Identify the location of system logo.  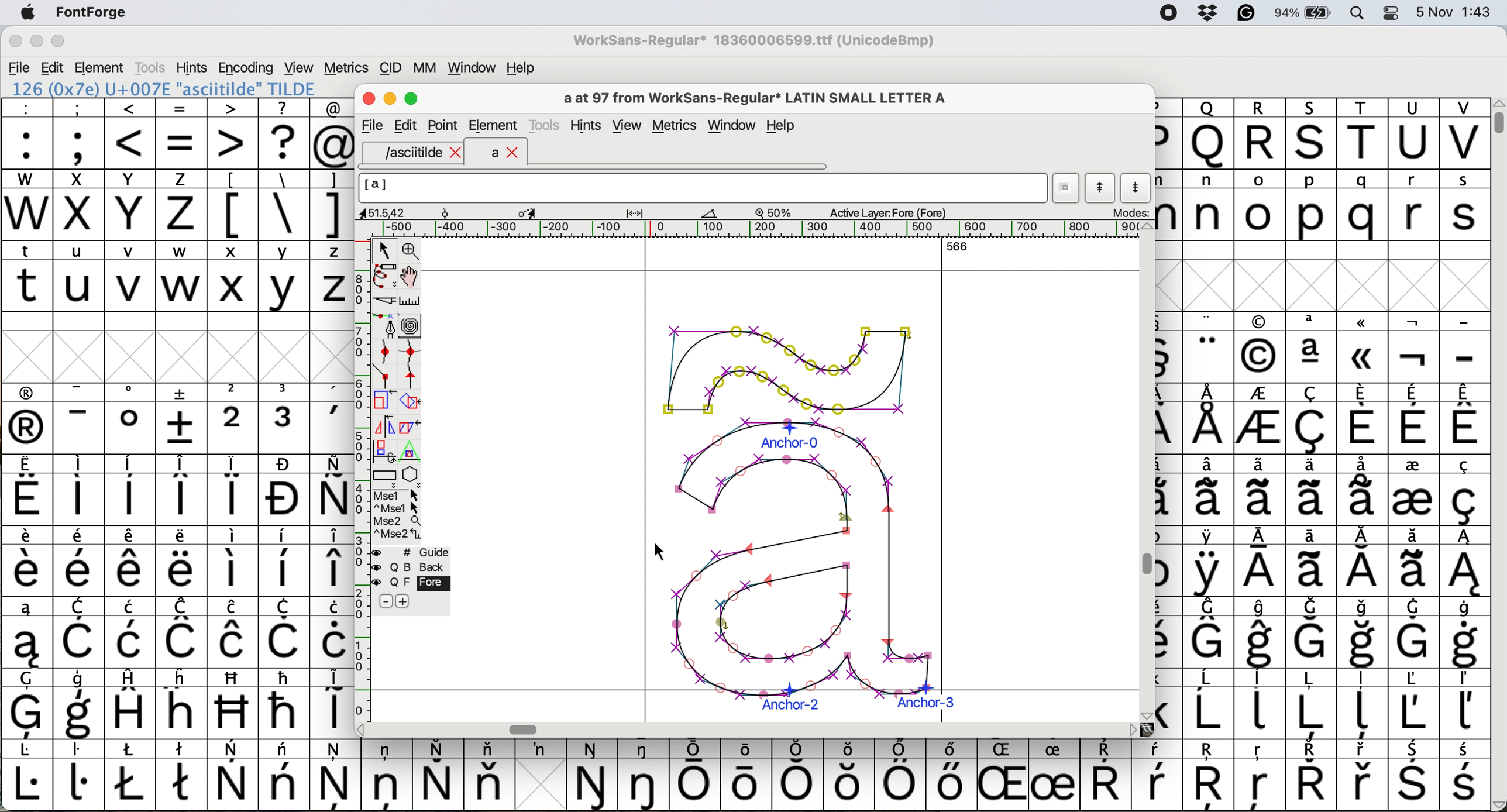
(27, 13).